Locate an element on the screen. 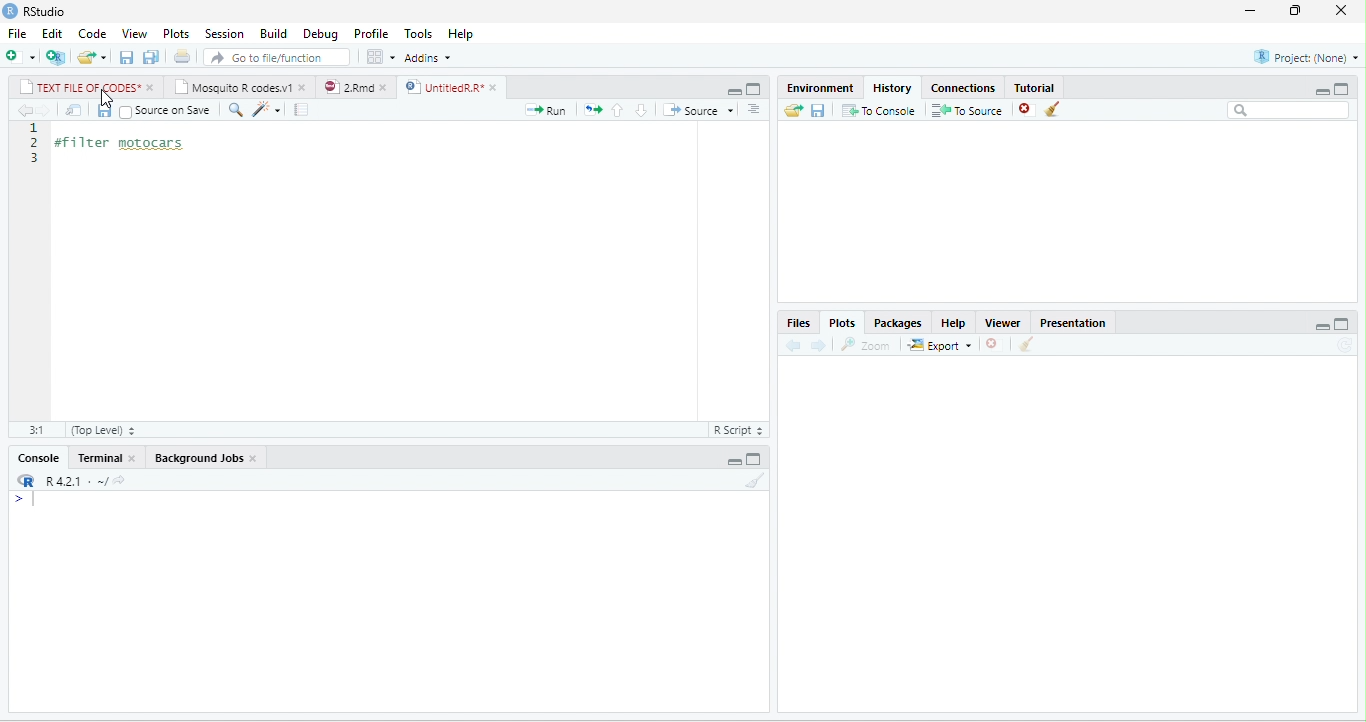 This screenshot has height=722, width=1366. Tutorial is located at coordinates (1033, 87).